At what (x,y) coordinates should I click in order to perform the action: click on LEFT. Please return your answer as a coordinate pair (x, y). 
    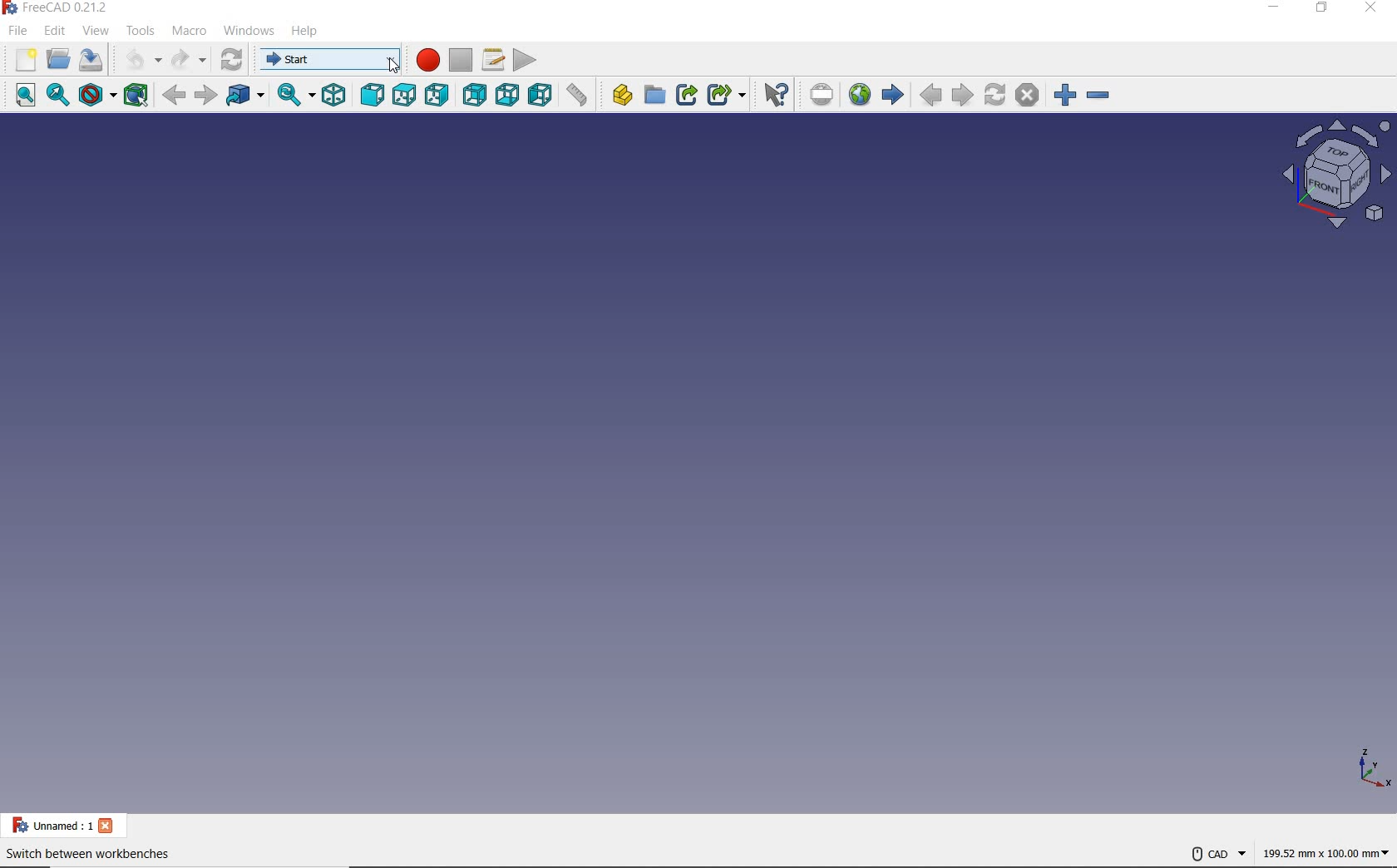
    Looking at the image, I should click on (541, 94).